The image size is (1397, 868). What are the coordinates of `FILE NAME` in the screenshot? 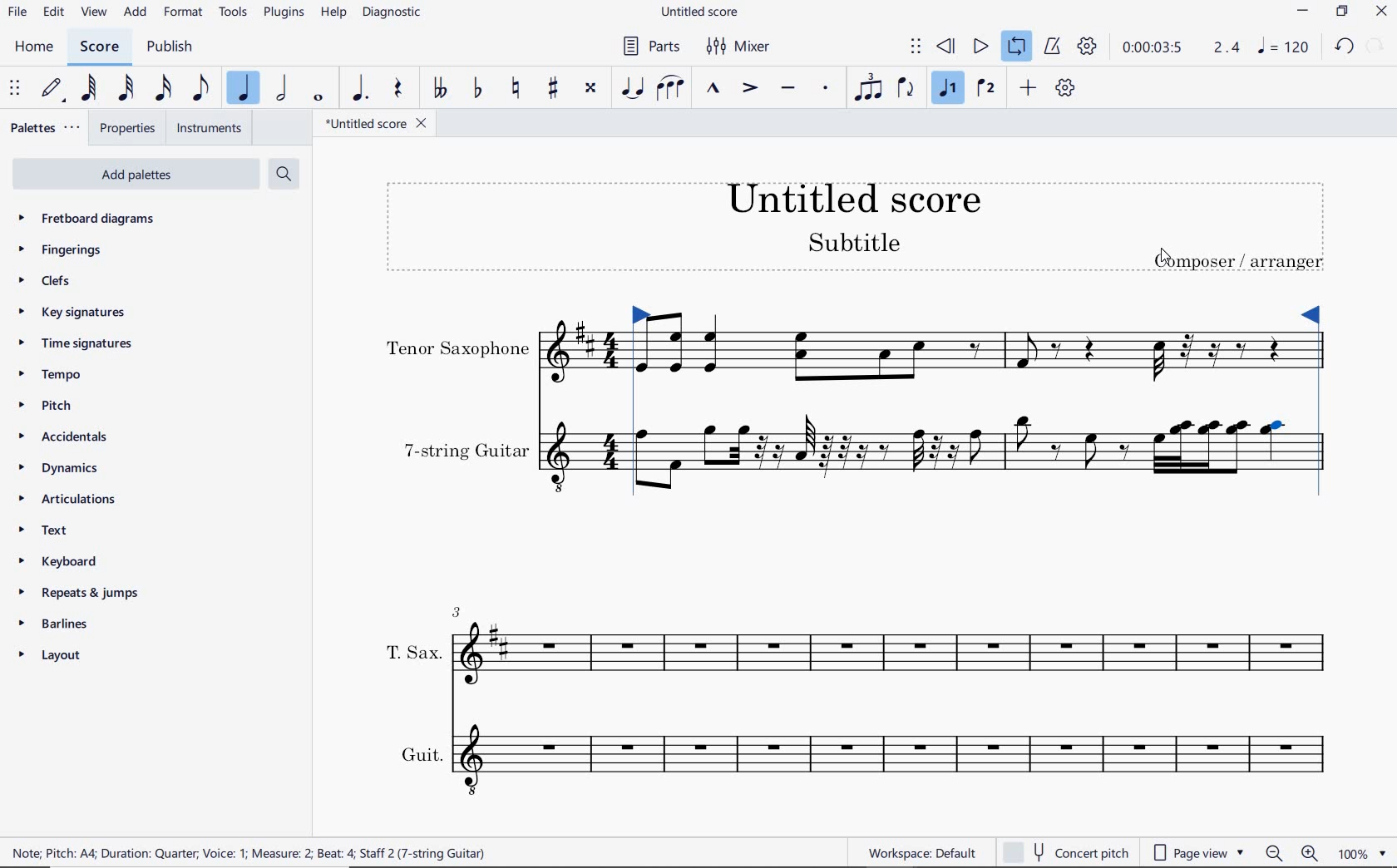 It's located at (378, 126).